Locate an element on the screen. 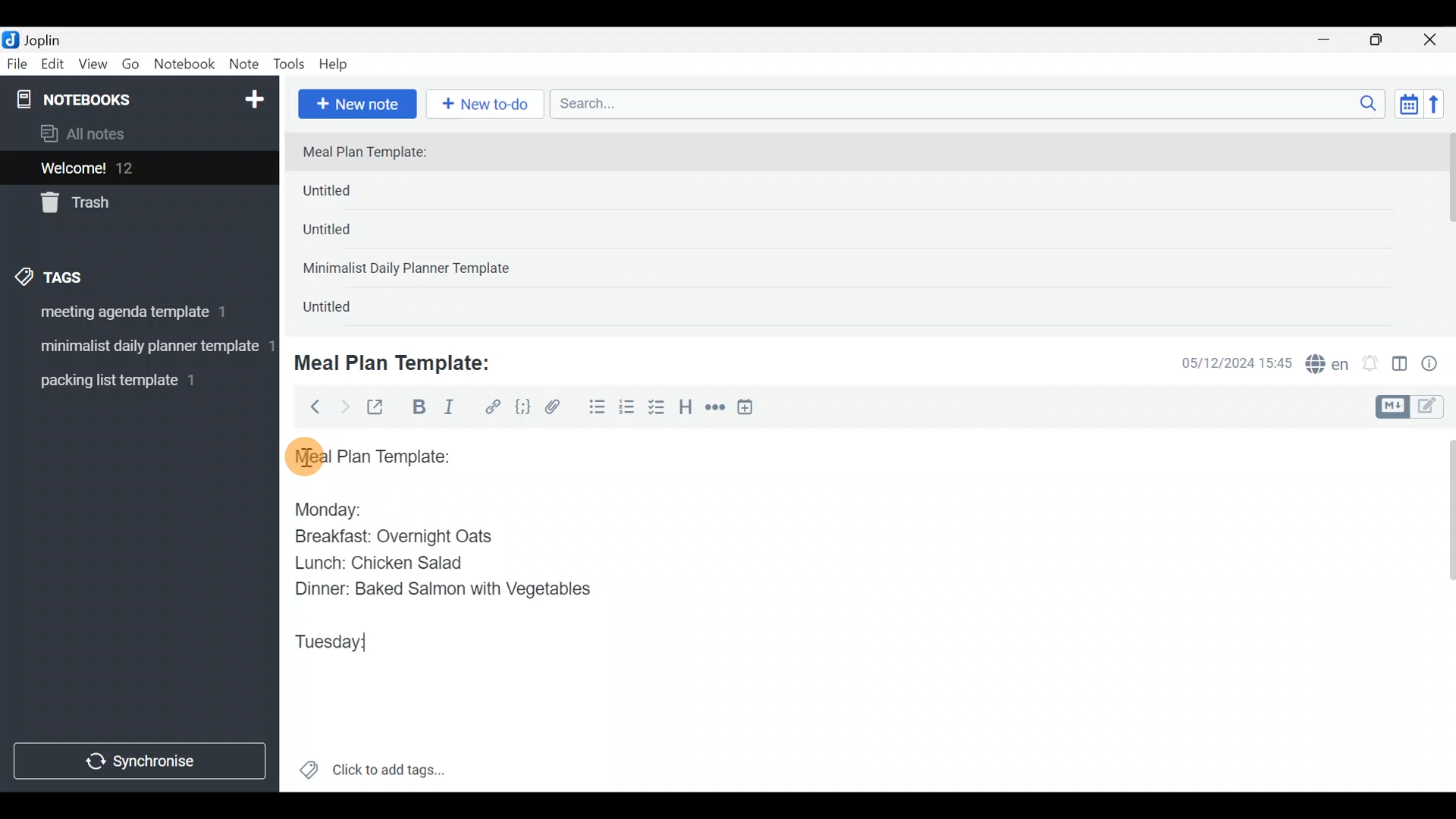  Monday: is located at coordinates (318, 507).